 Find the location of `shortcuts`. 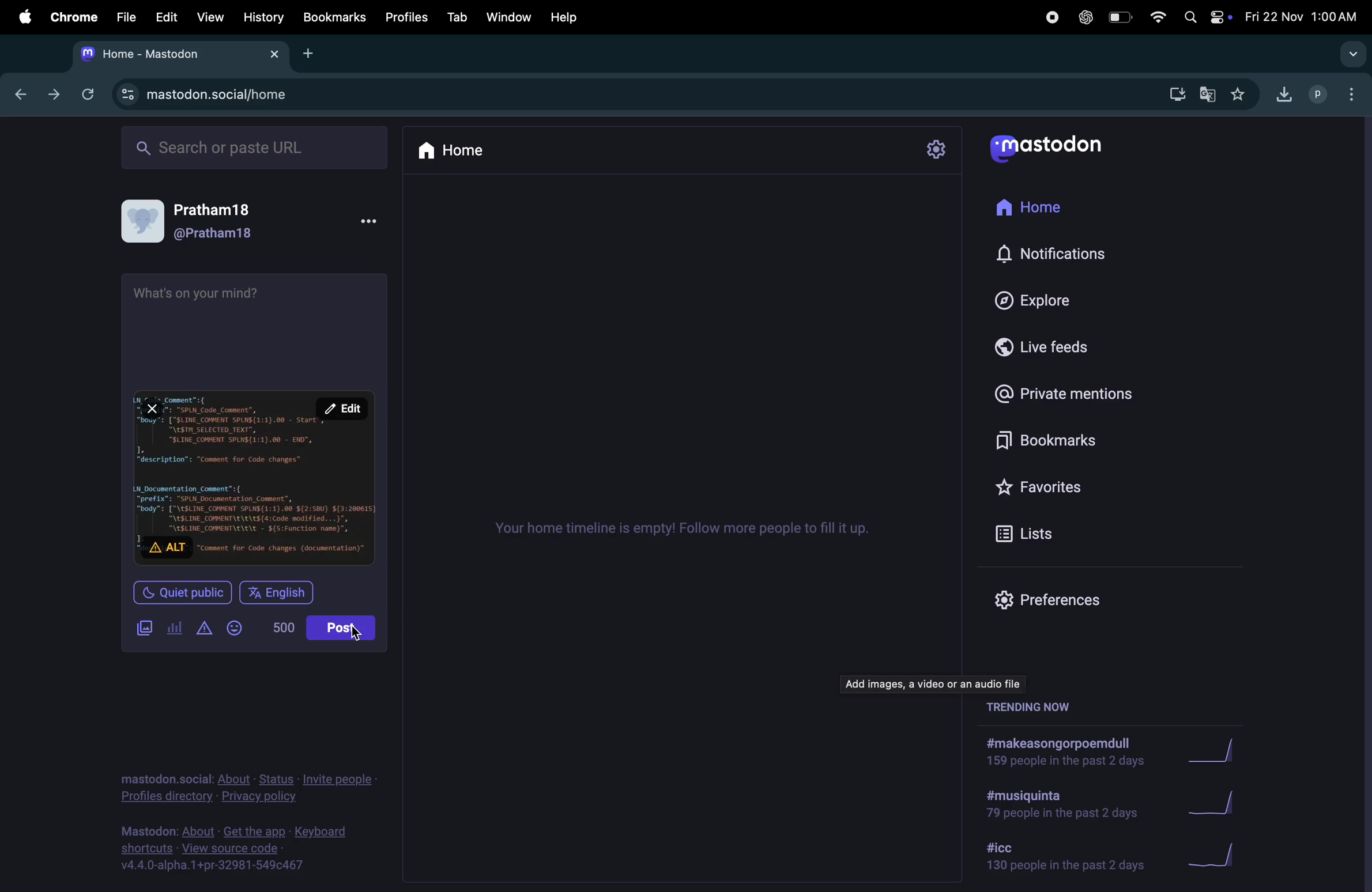

shortcuts is located at coordinates (147, 848).